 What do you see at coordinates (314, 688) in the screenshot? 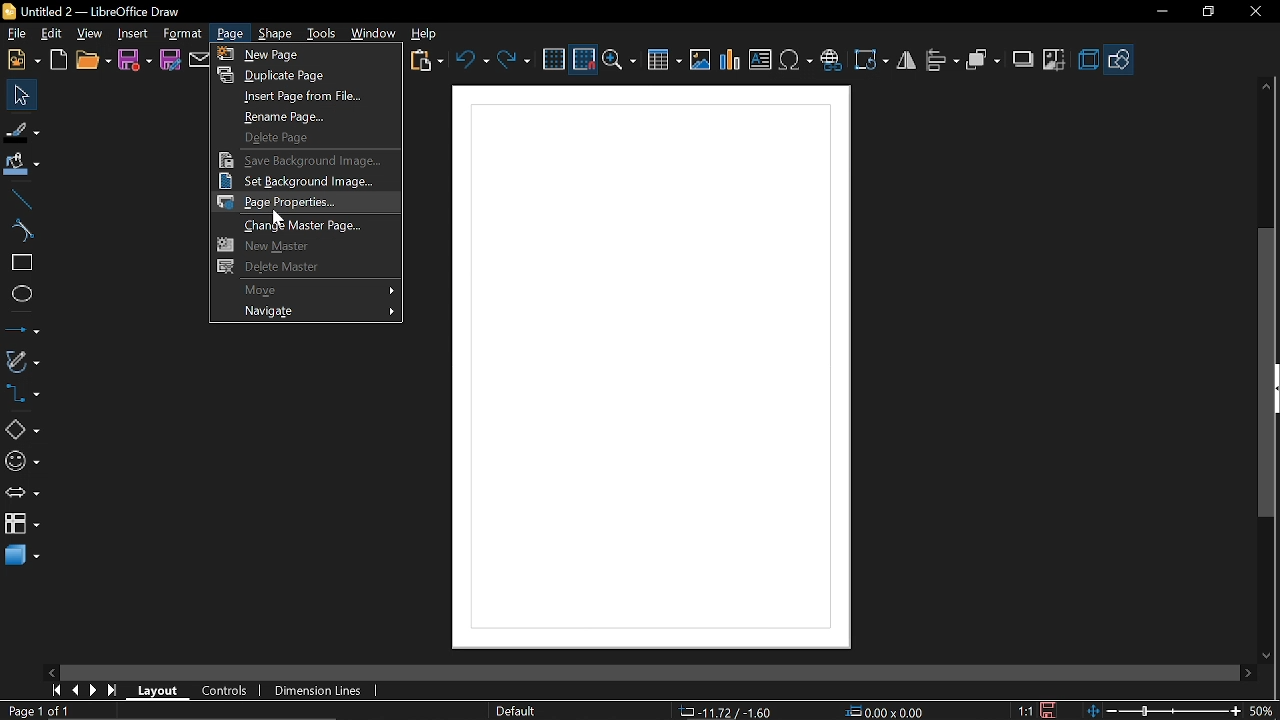
I see `Dimension lines` at bounding box center [314, 688].